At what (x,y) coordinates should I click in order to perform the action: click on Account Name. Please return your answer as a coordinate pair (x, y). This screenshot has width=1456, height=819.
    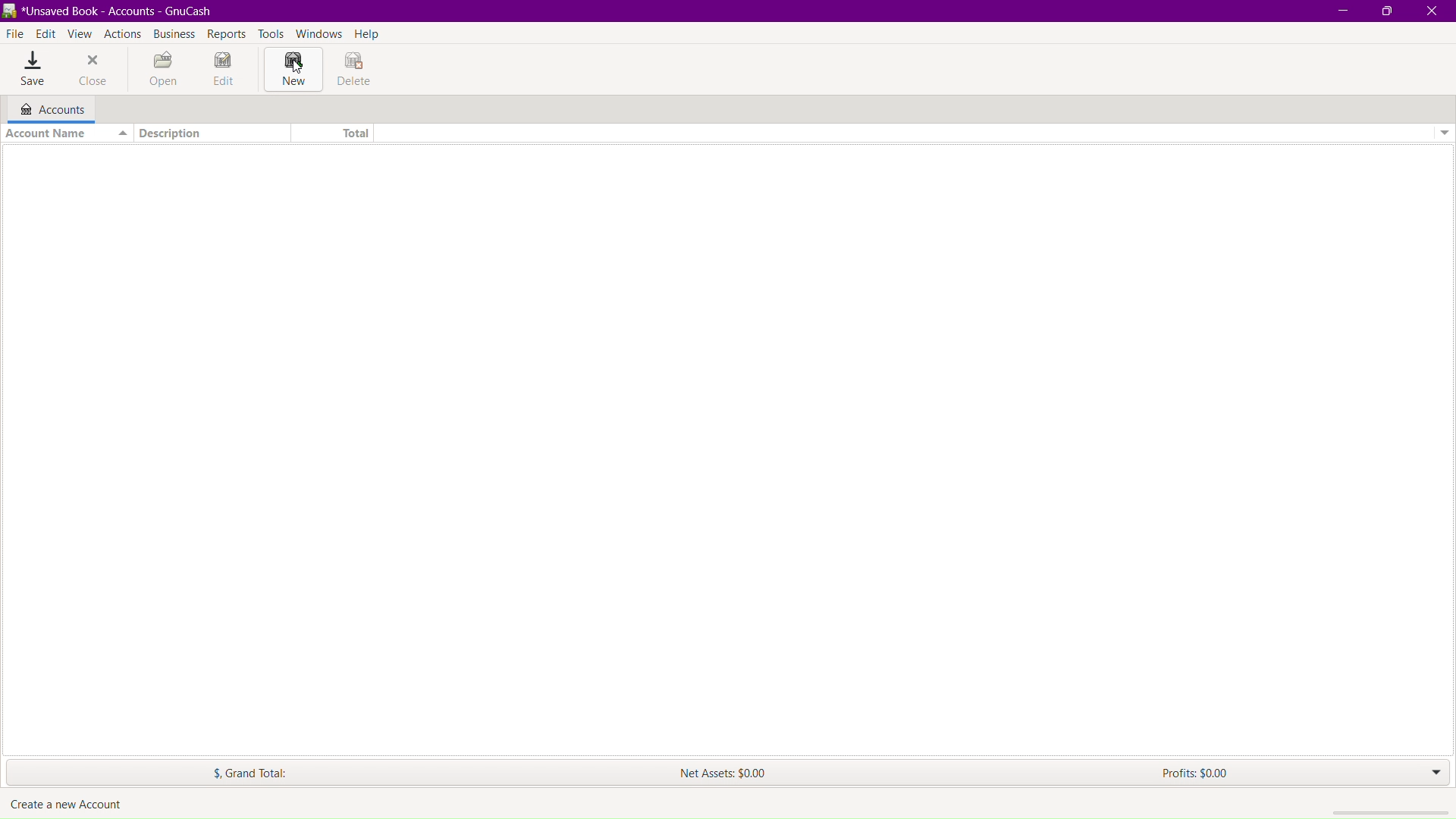
    Looking at the image, I should click on (67, 133).